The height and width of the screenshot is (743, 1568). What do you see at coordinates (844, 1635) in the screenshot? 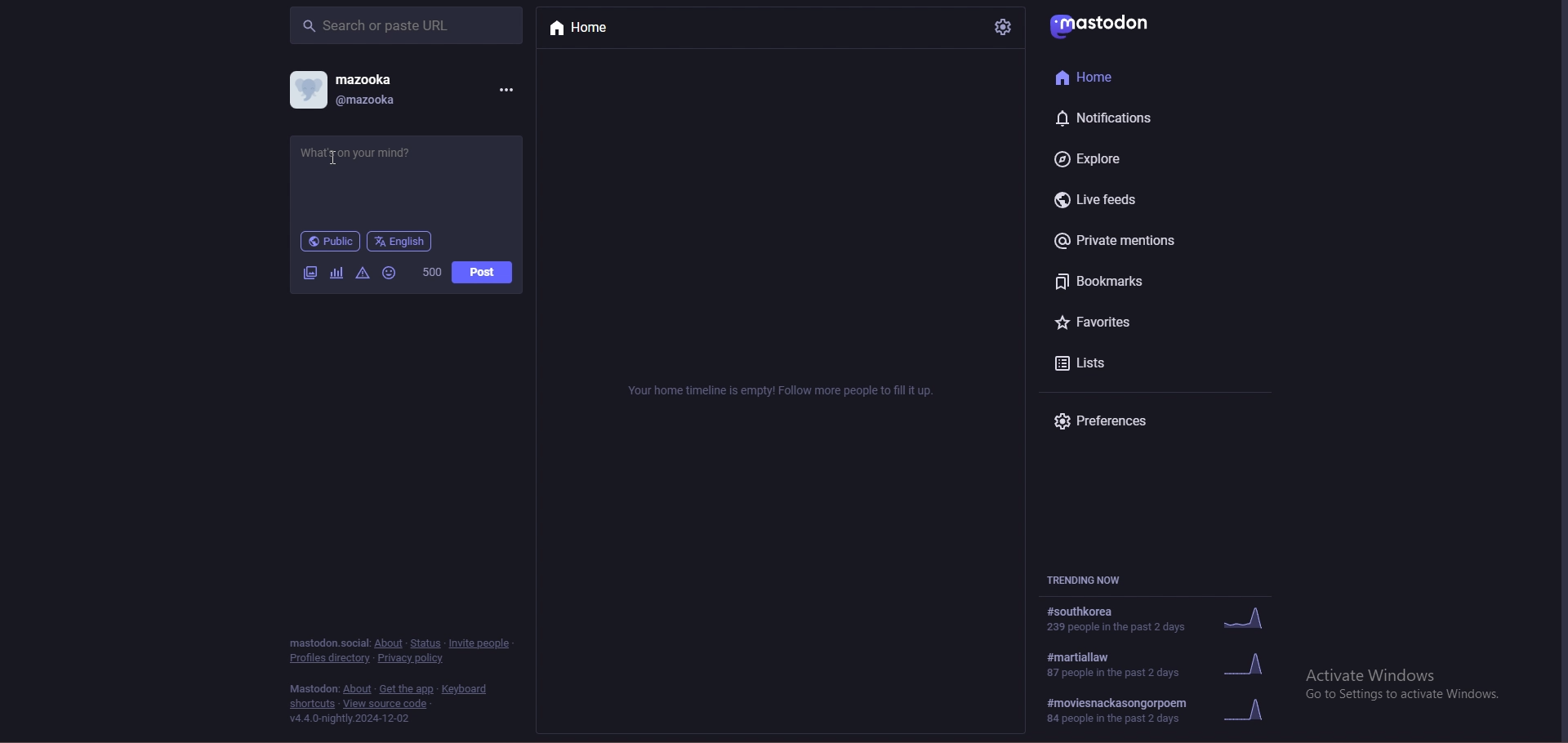
I see `view source code` at bounding box center [844, 1635].